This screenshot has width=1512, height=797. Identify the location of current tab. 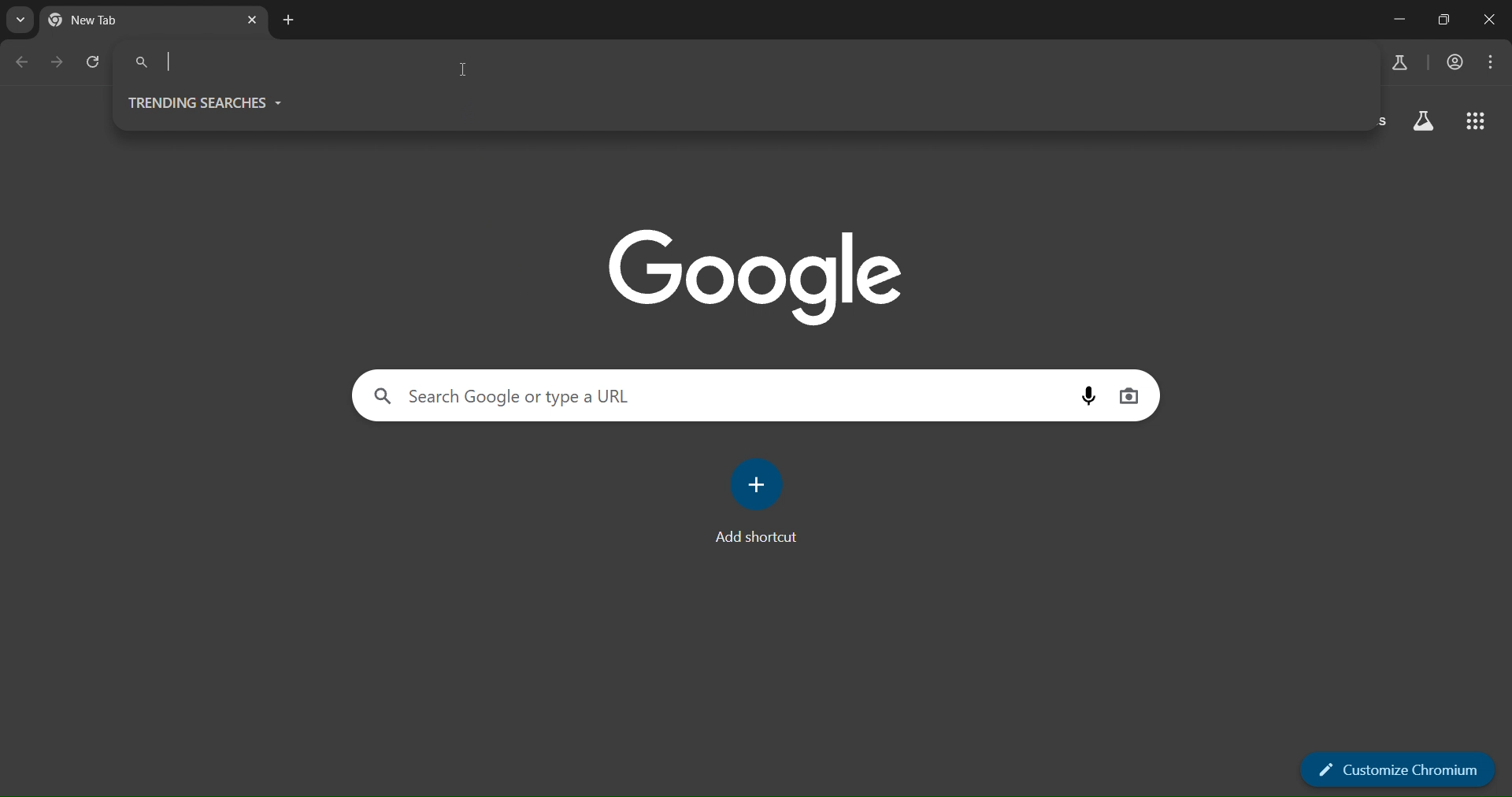
(124, 20).